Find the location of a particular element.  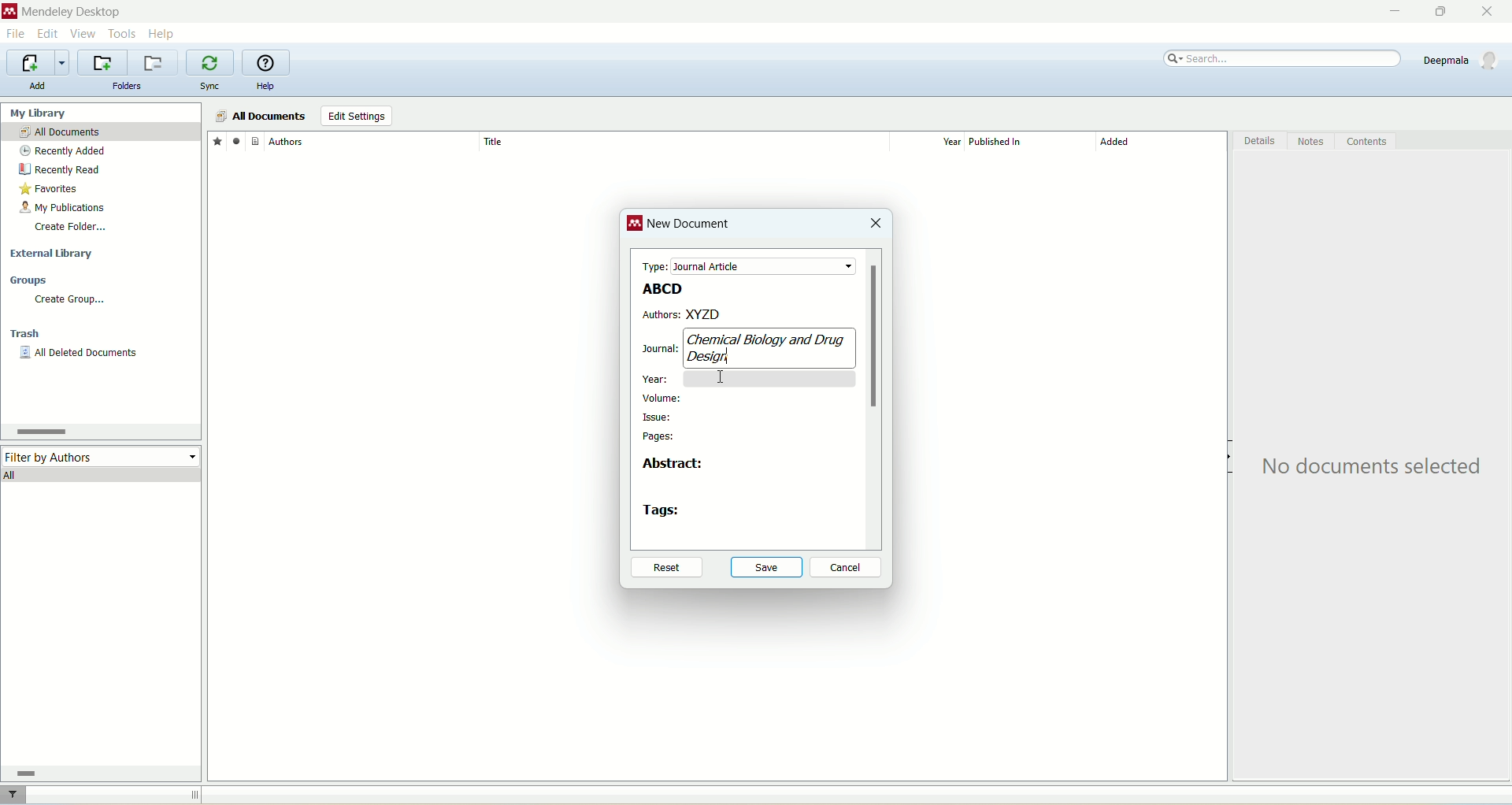

synchronize library with mendeley web is located at coordinates (212, 63).